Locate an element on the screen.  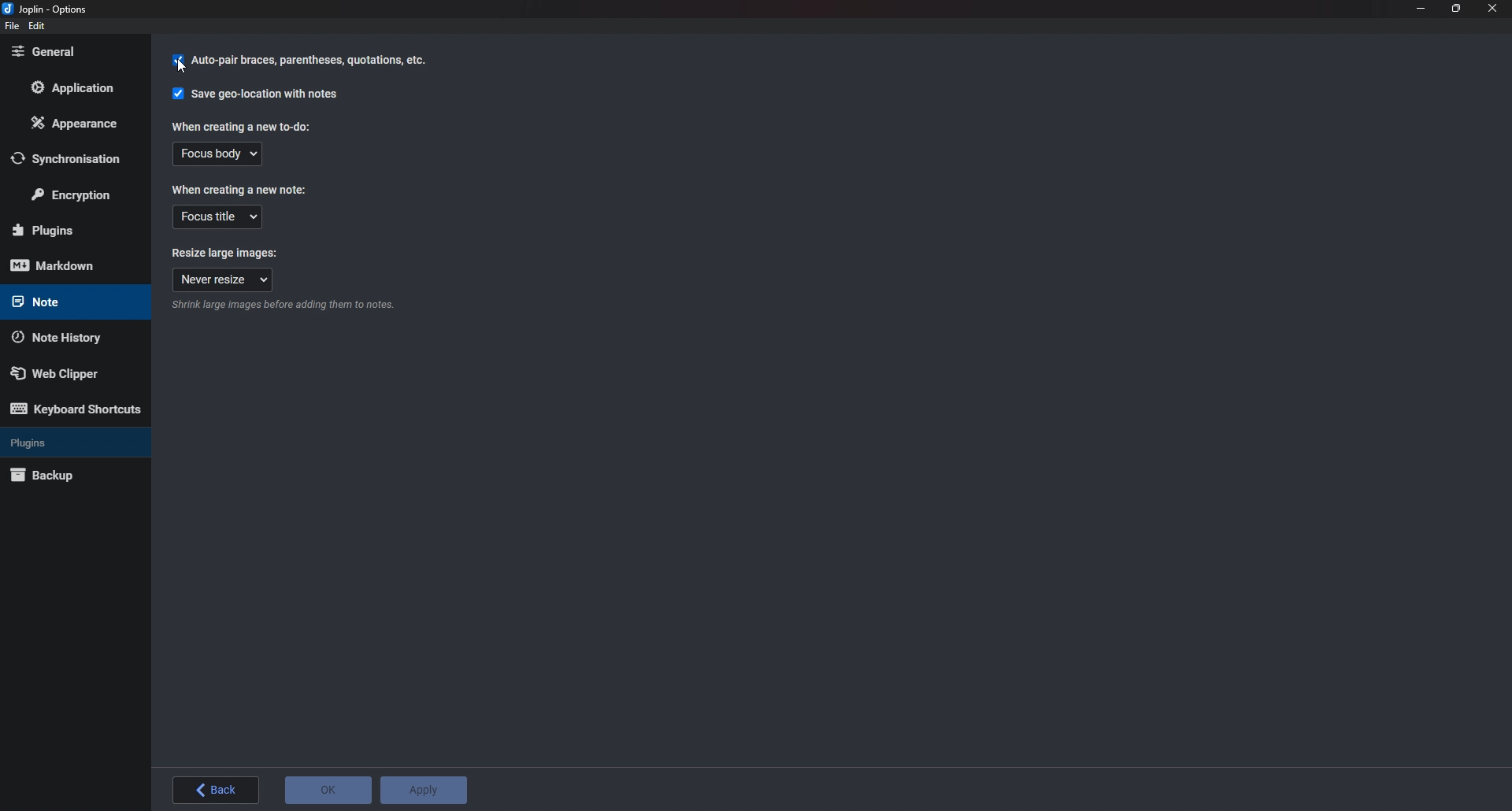
Appearance is located at coordinates (70, 124).